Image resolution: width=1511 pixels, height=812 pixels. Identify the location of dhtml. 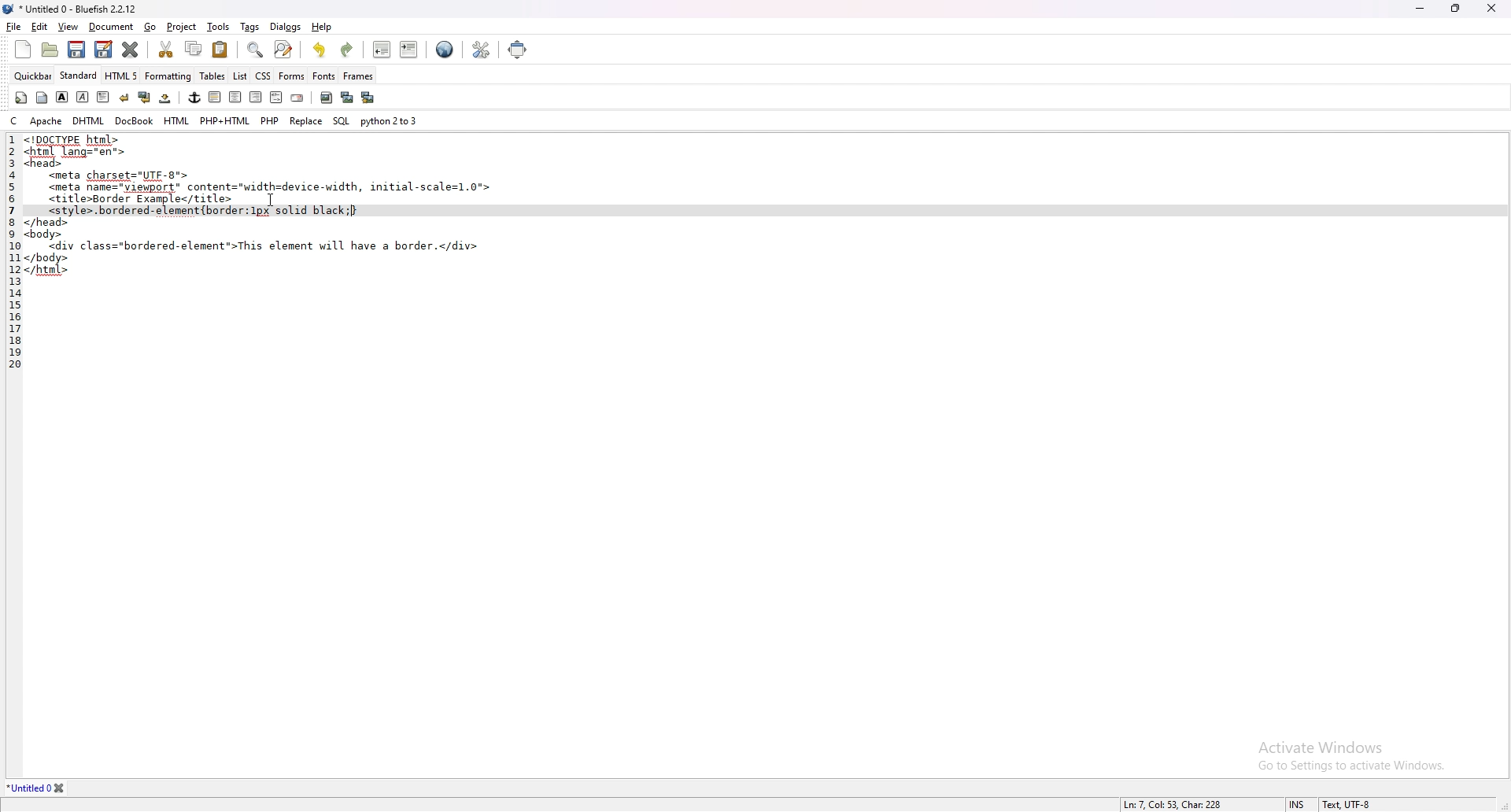
(90, 120).